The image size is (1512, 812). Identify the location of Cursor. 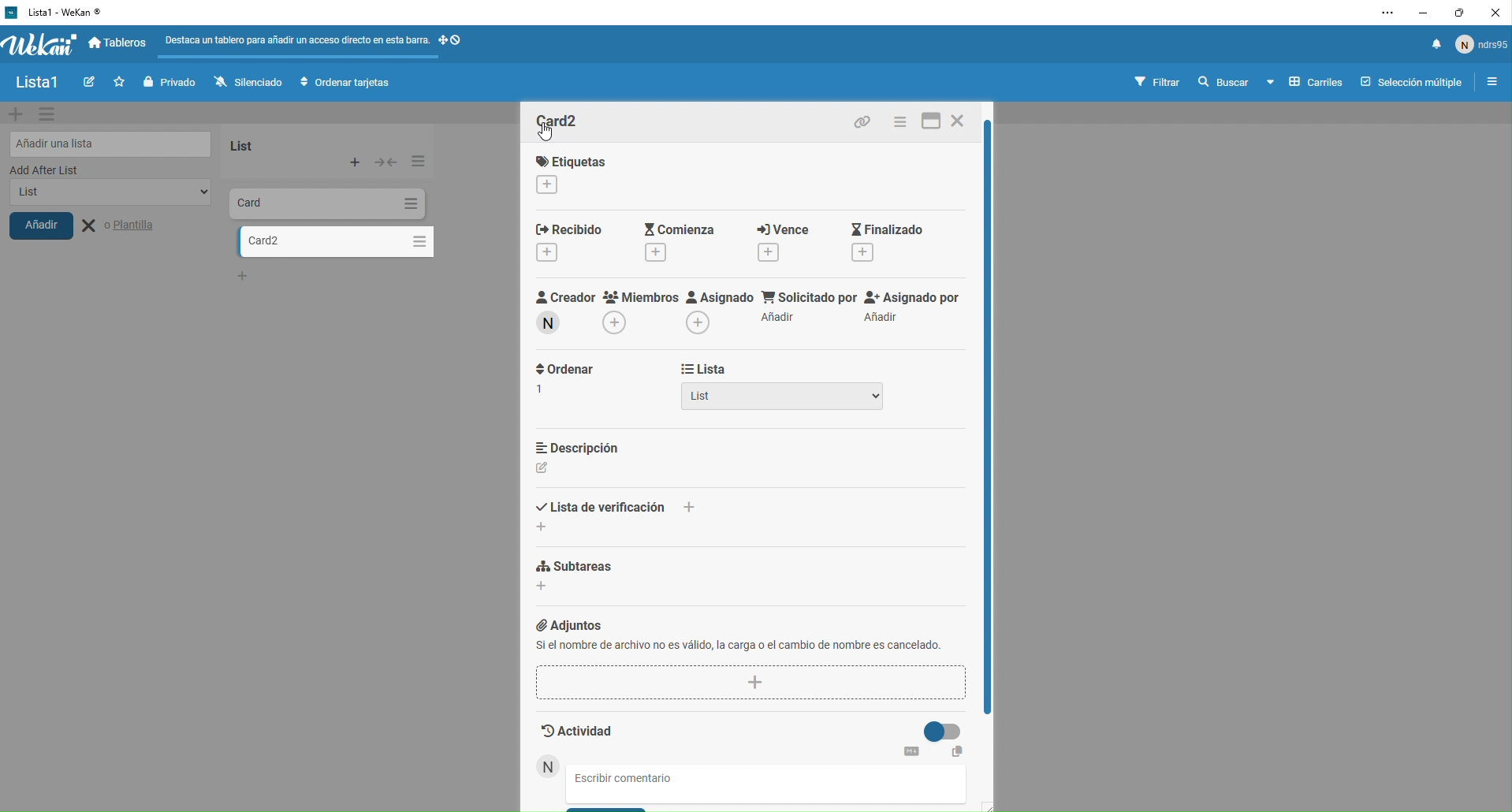
(550, 135).